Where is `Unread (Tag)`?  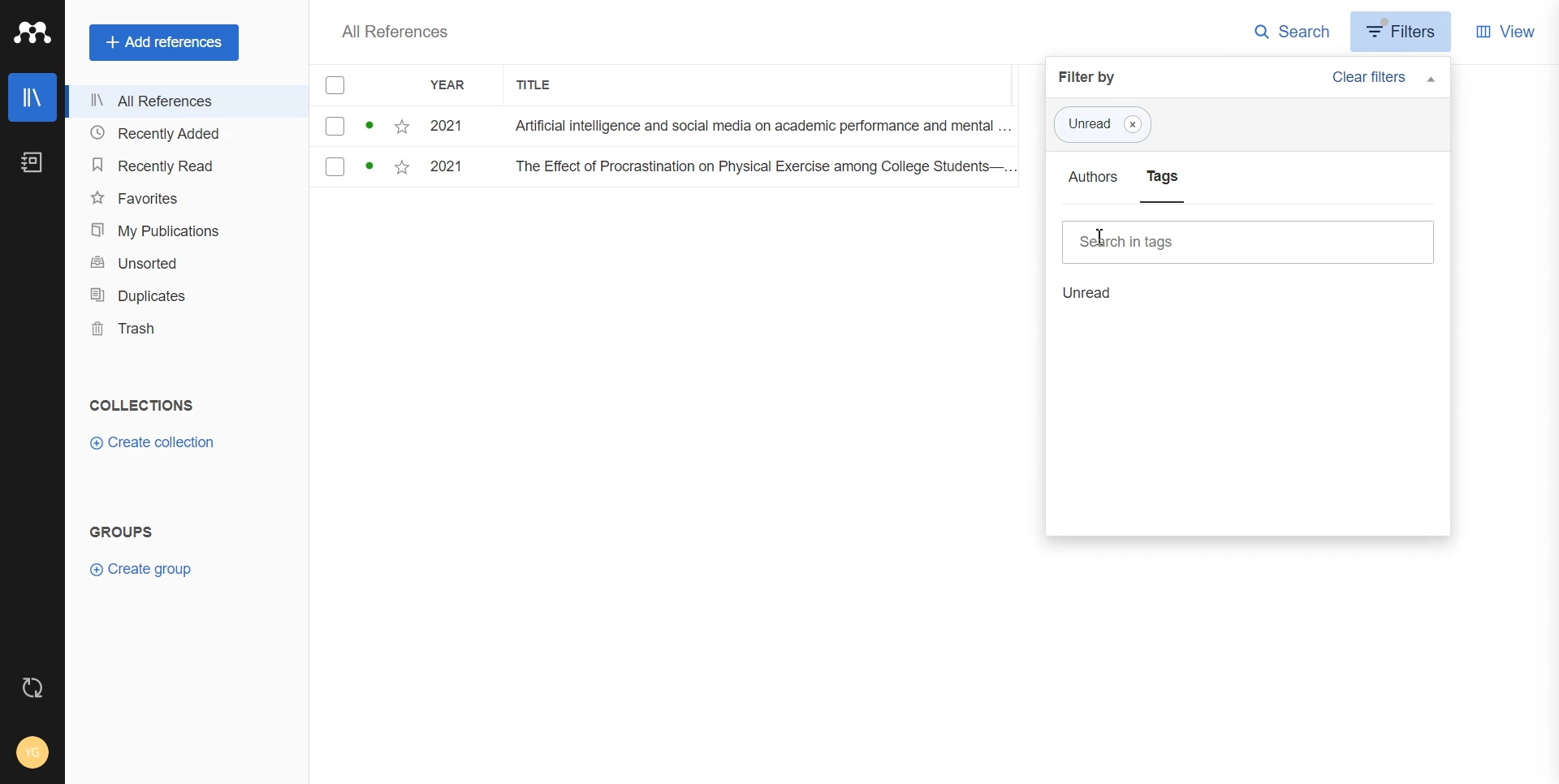
Unread (Tag) is located at coordinates (1106, 125).